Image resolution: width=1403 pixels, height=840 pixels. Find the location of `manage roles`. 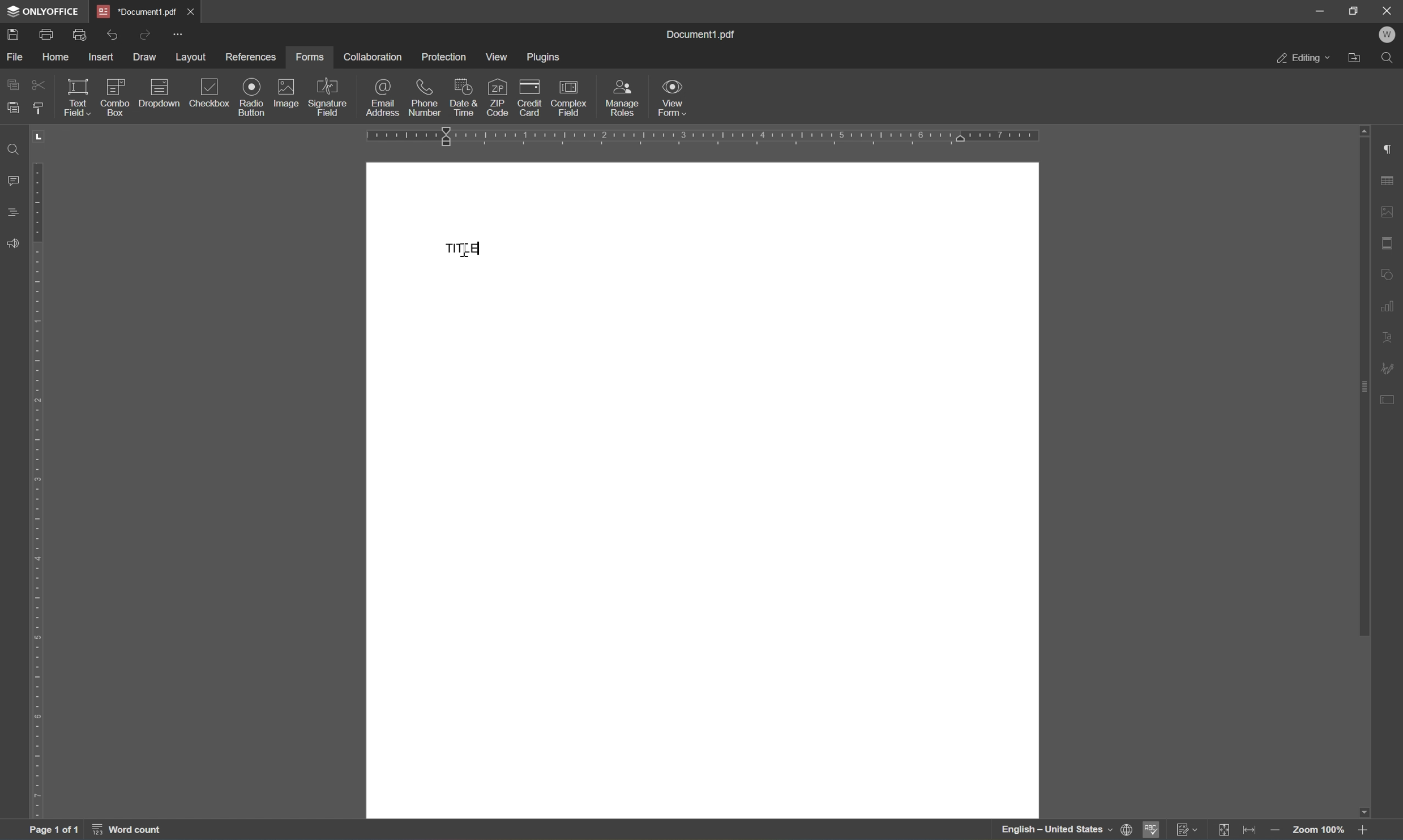

manage roles is located at coordinates (625, 100).